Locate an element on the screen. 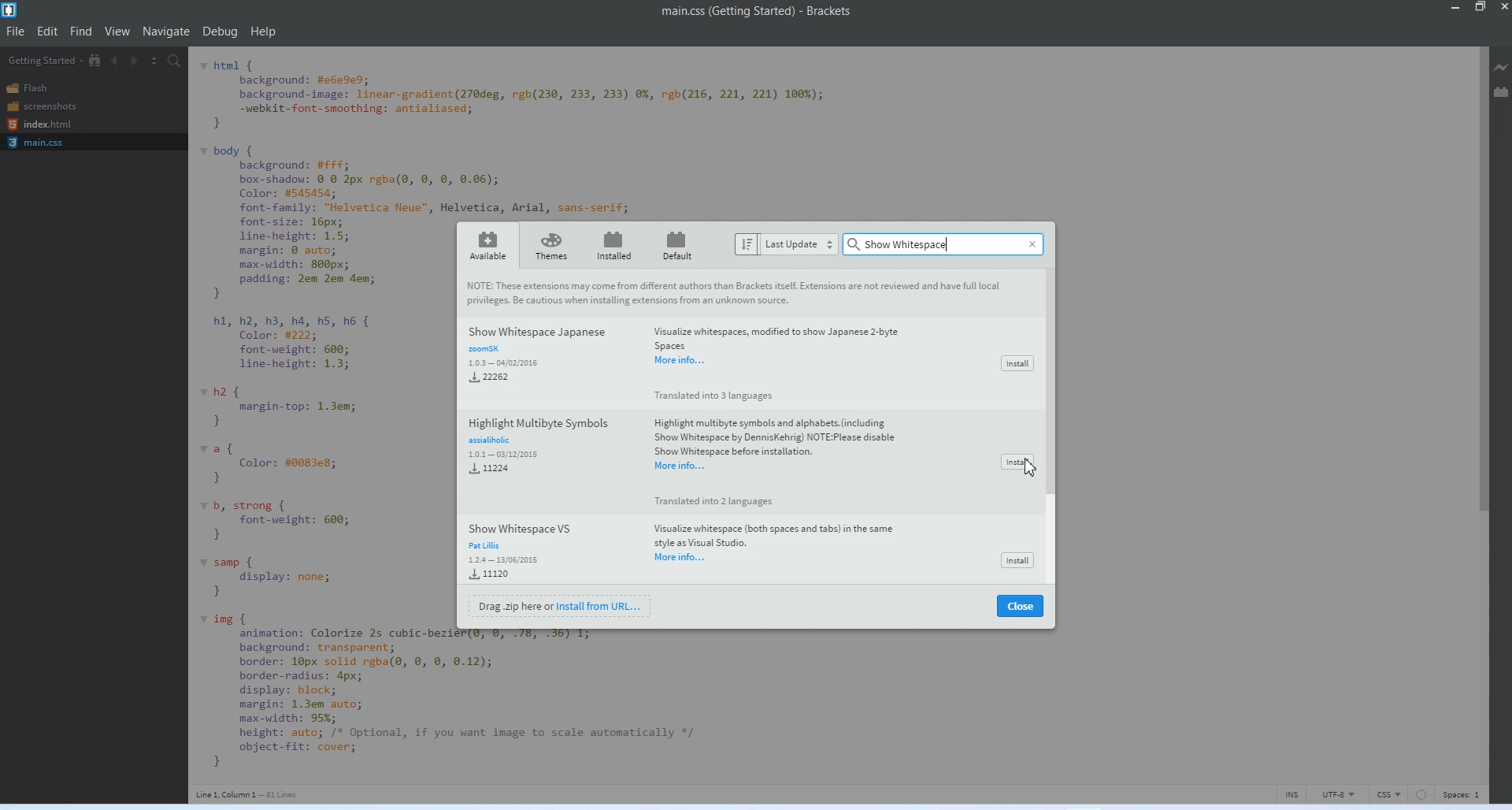 The image size is (1512, 810). Highlight Multibyte symbol is located at coordinates (705, 459).